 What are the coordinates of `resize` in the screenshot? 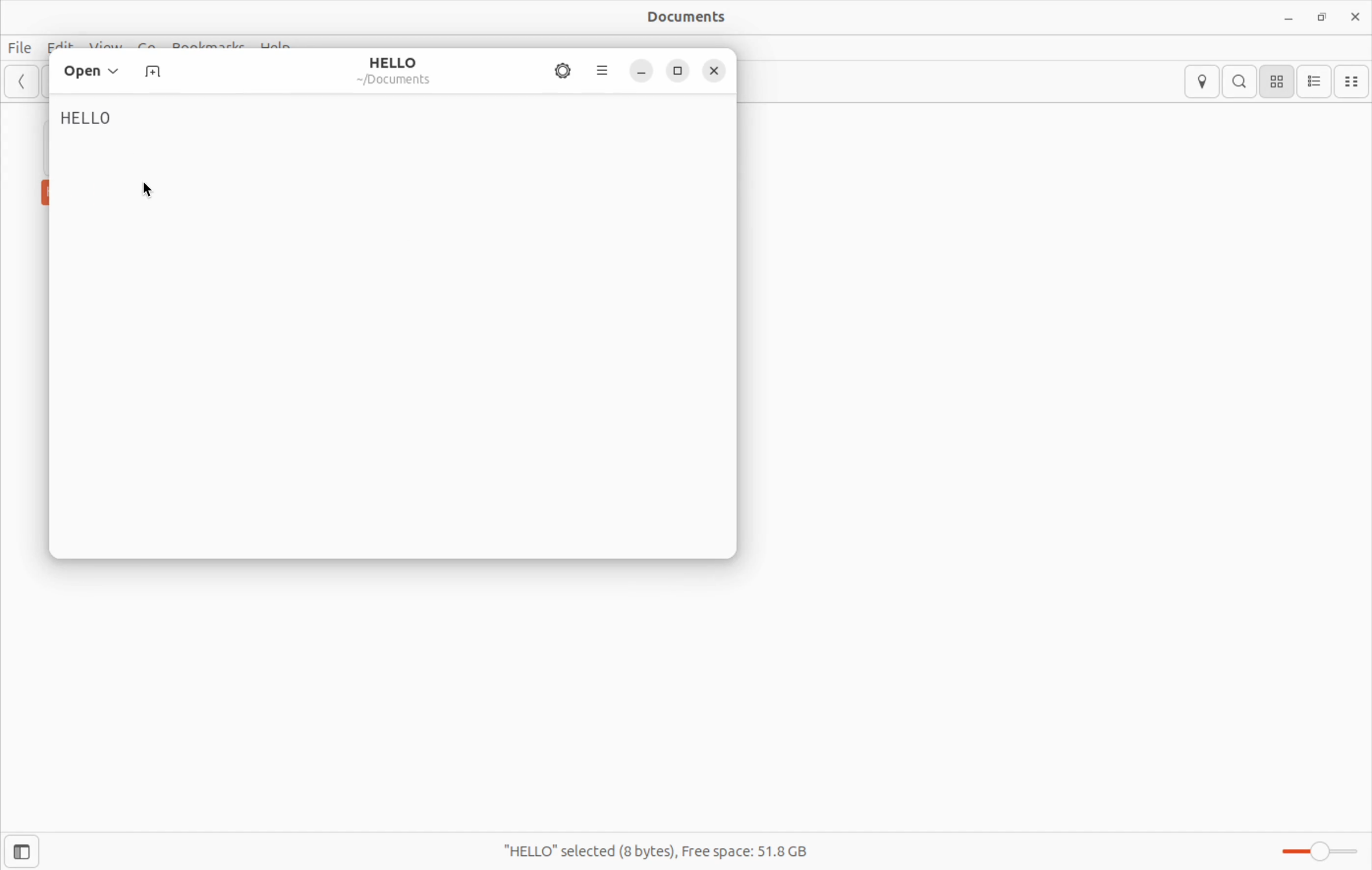 It's located at (679, 73).